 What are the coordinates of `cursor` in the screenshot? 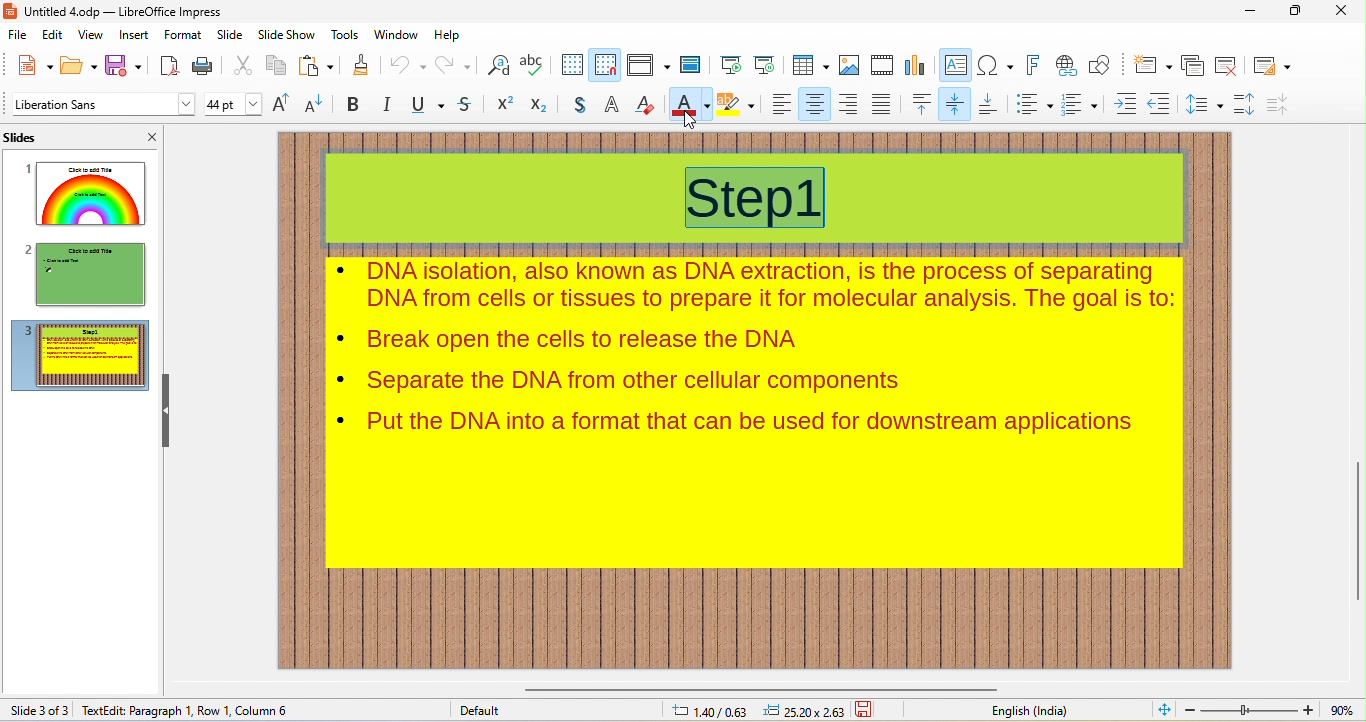 It's located at (692, 120).